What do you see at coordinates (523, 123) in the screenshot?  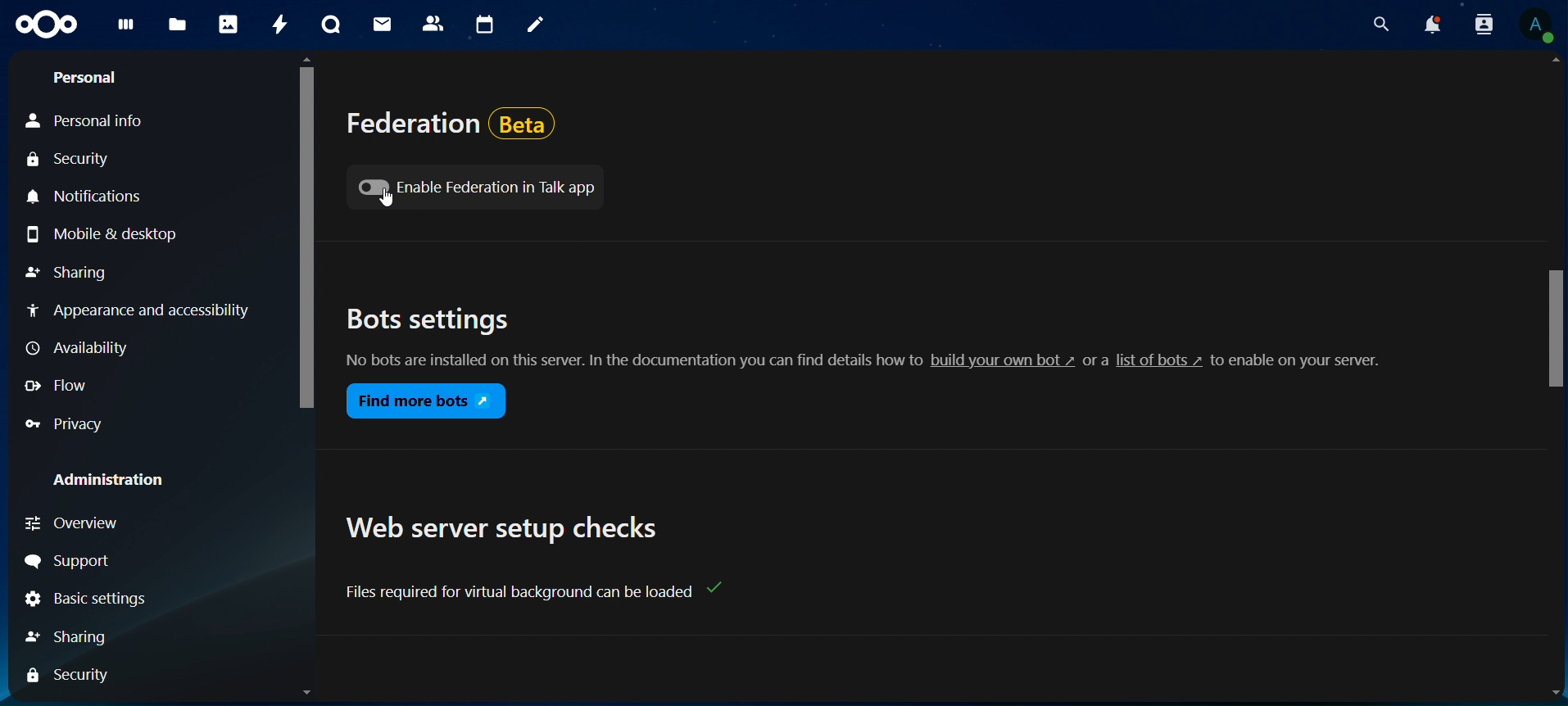 I see `Beta` at bounding box center [523, 123].